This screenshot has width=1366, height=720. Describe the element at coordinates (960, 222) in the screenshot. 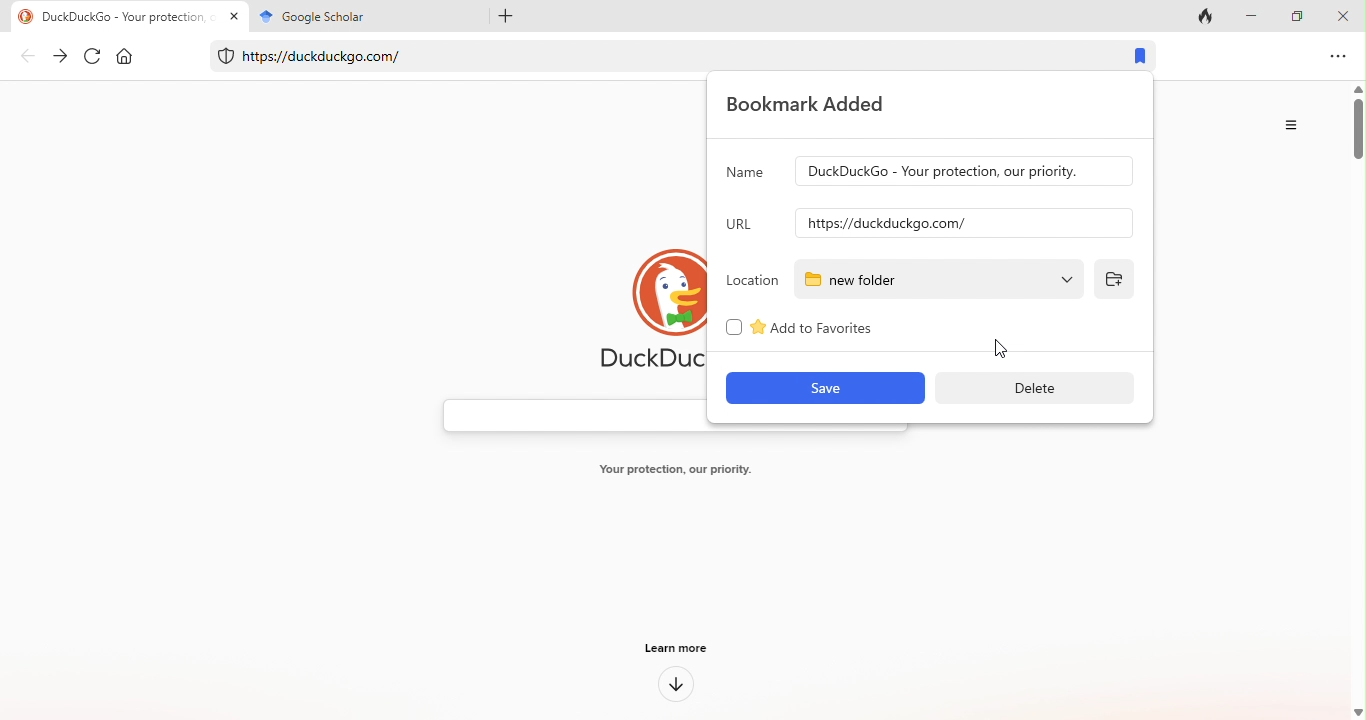

I see `input url` at that location.